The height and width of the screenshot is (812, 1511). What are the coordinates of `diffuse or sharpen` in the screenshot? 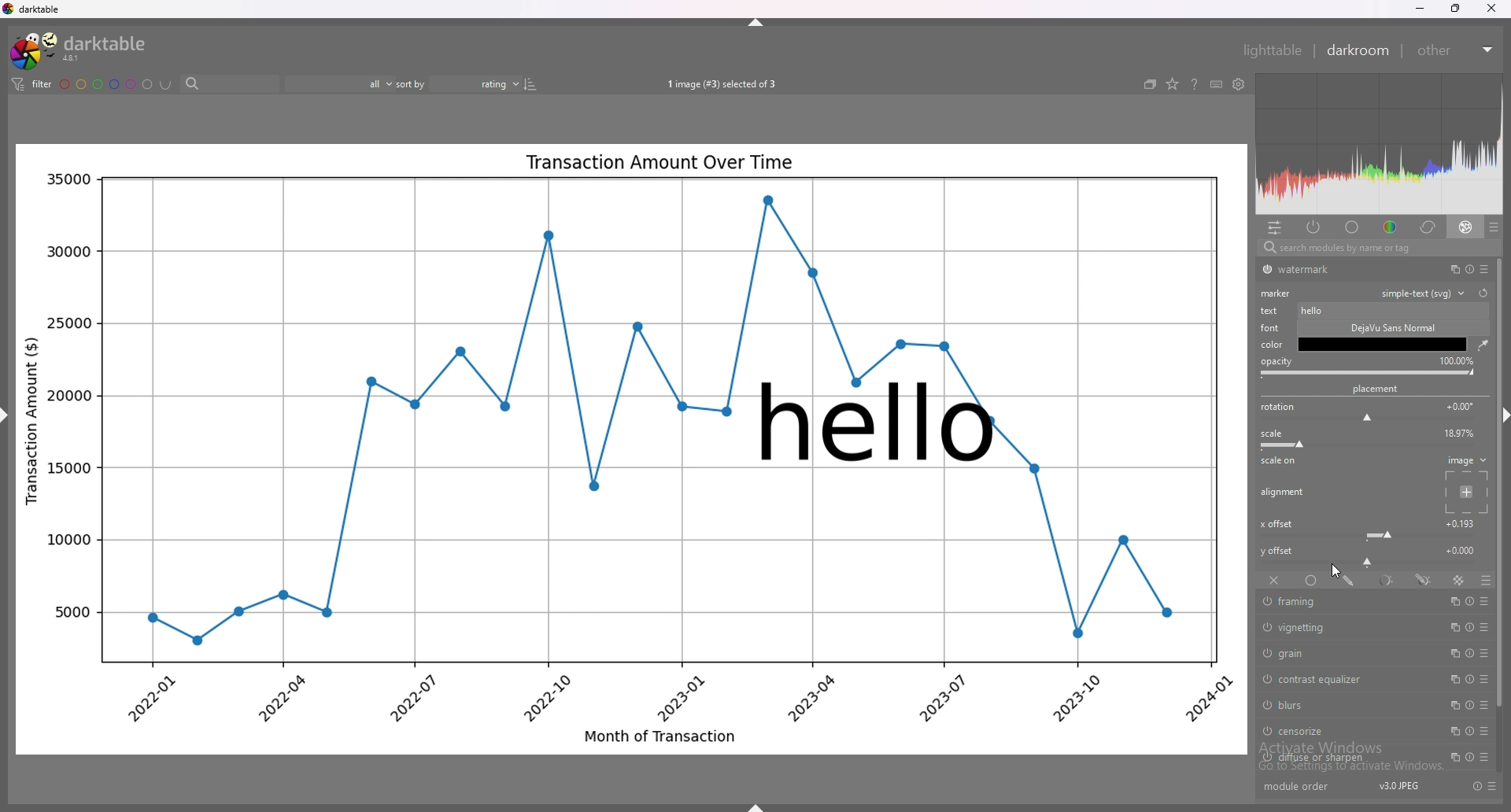 It's located at (1345, 758).